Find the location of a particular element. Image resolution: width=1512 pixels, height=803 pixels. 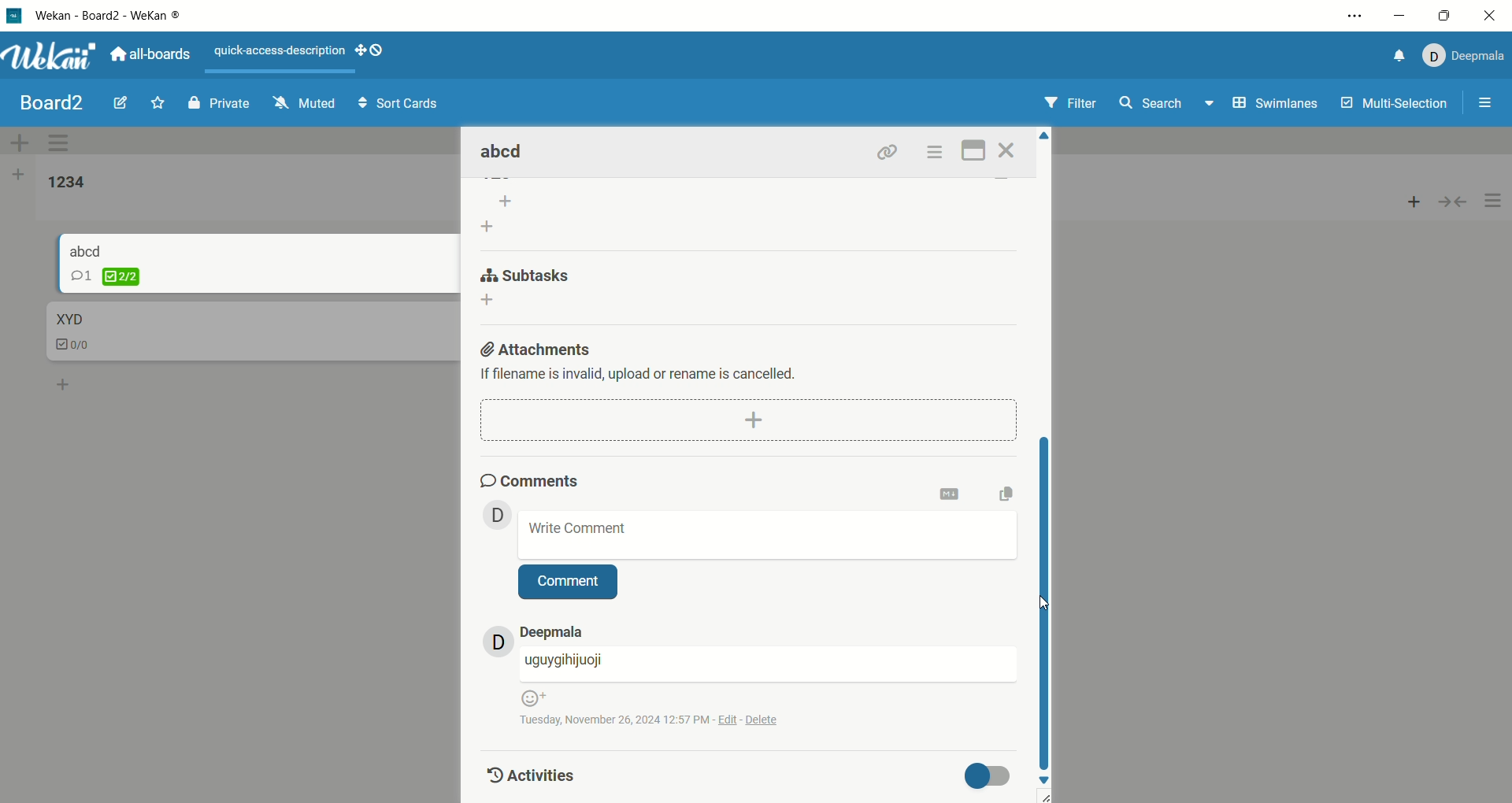

Up is located at coordinates (1045, 139).